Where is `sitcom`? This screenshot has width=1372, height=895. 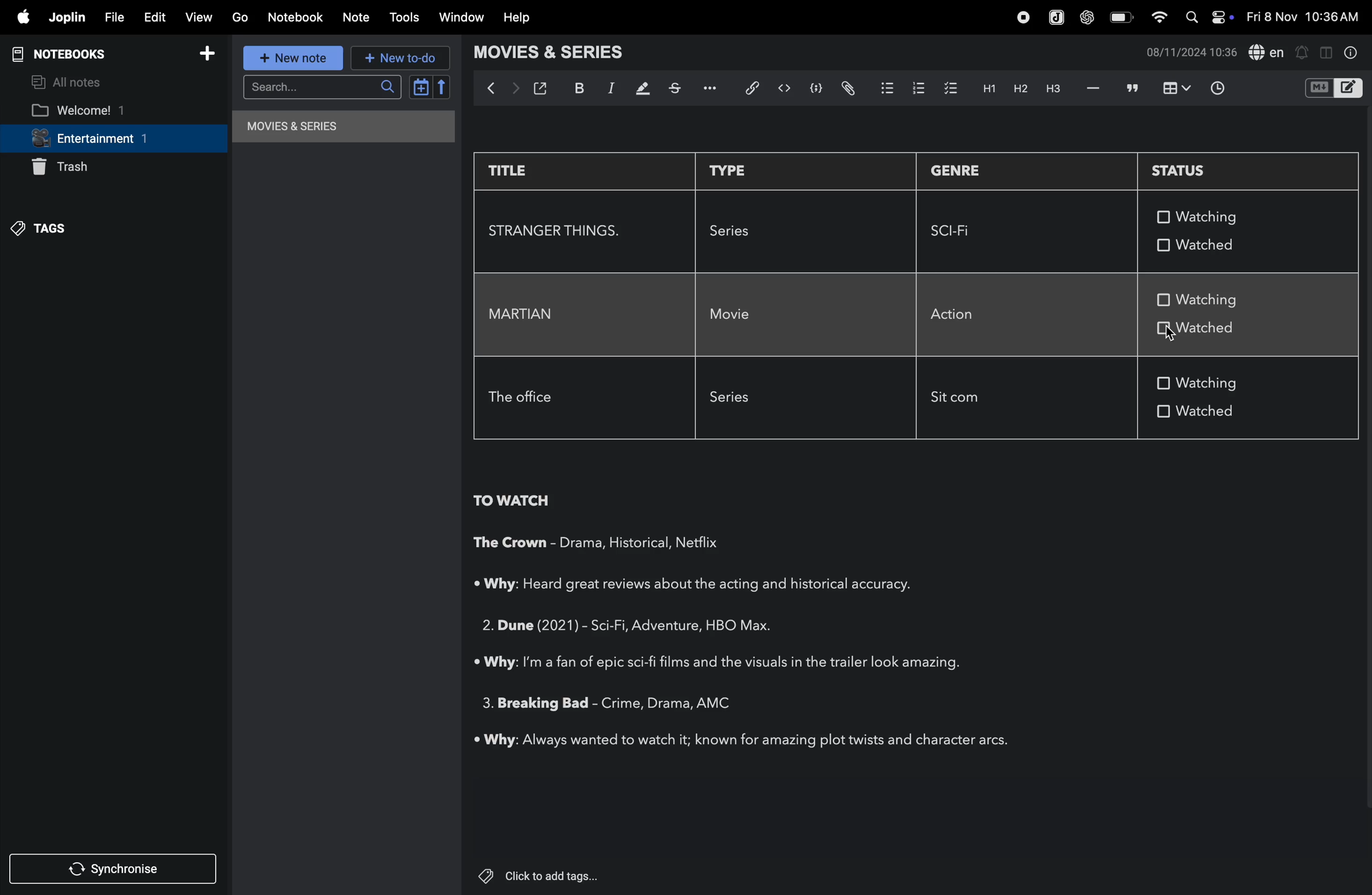 sitcom is located at coordinates (963, 400).